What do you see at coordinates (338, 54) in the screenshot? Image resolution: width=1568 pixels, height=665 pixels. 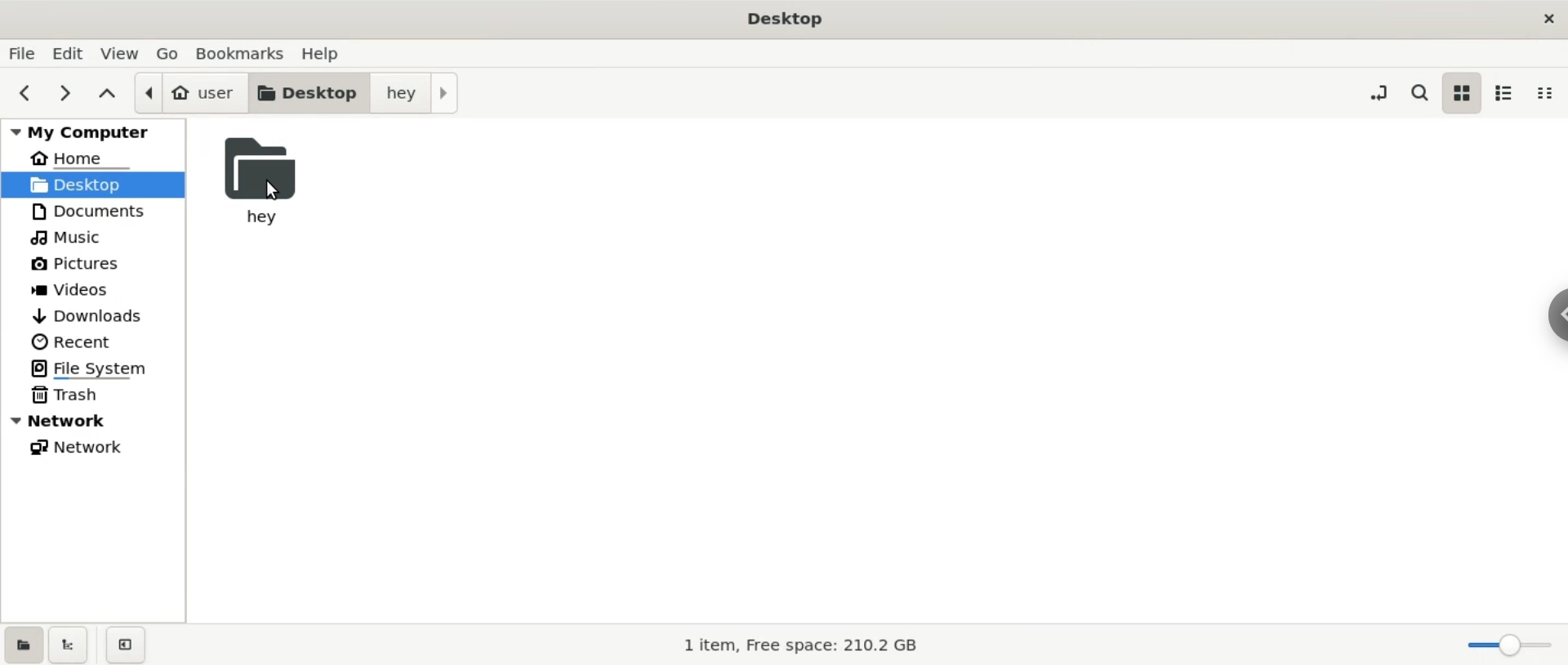 I see `help` at bounding box center [338, 54].